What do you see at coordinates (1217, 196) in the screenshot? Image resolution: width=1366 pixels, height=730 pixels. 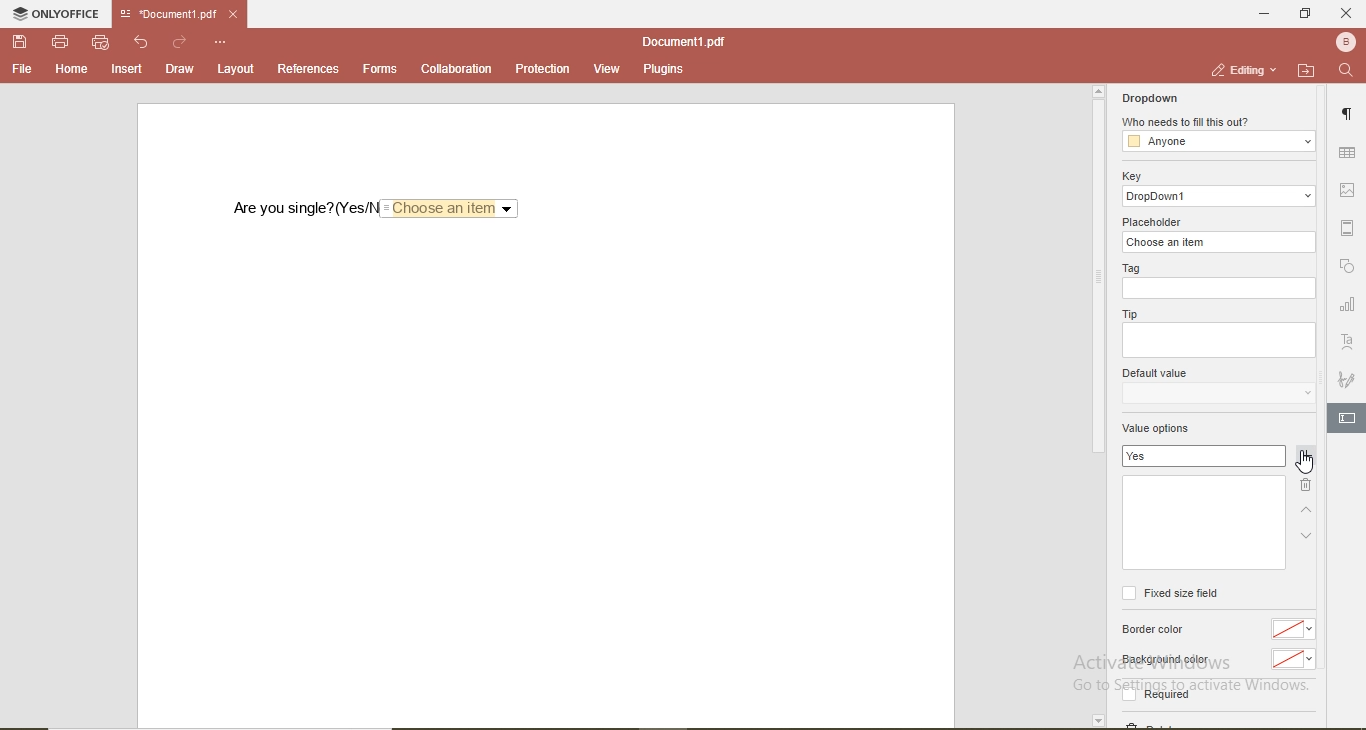 I see `dropdowm1` at bounding box center [1217, 196].